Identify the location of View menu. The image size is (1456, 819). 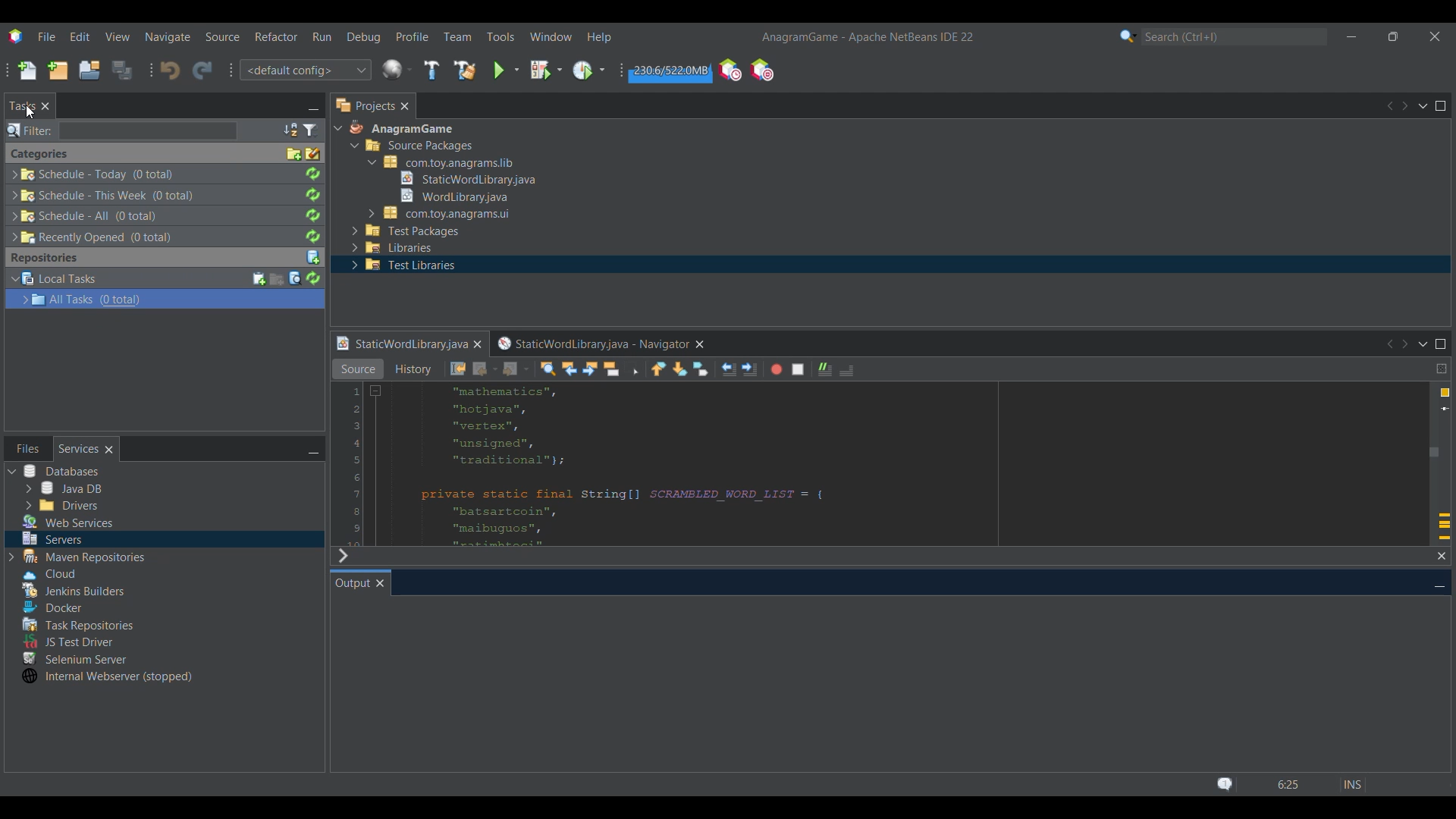
(118, 36).